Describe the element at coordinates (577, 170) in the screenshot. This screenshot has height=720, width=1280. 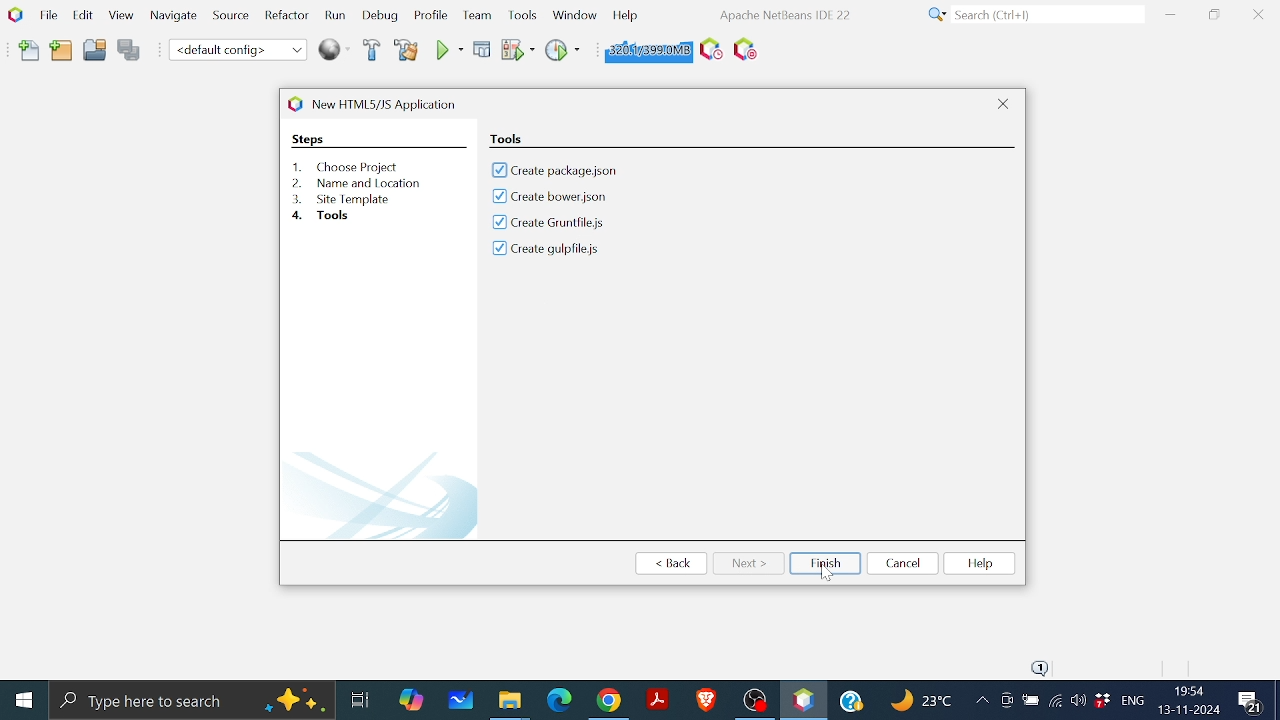
I see `Create package.json` at that location.